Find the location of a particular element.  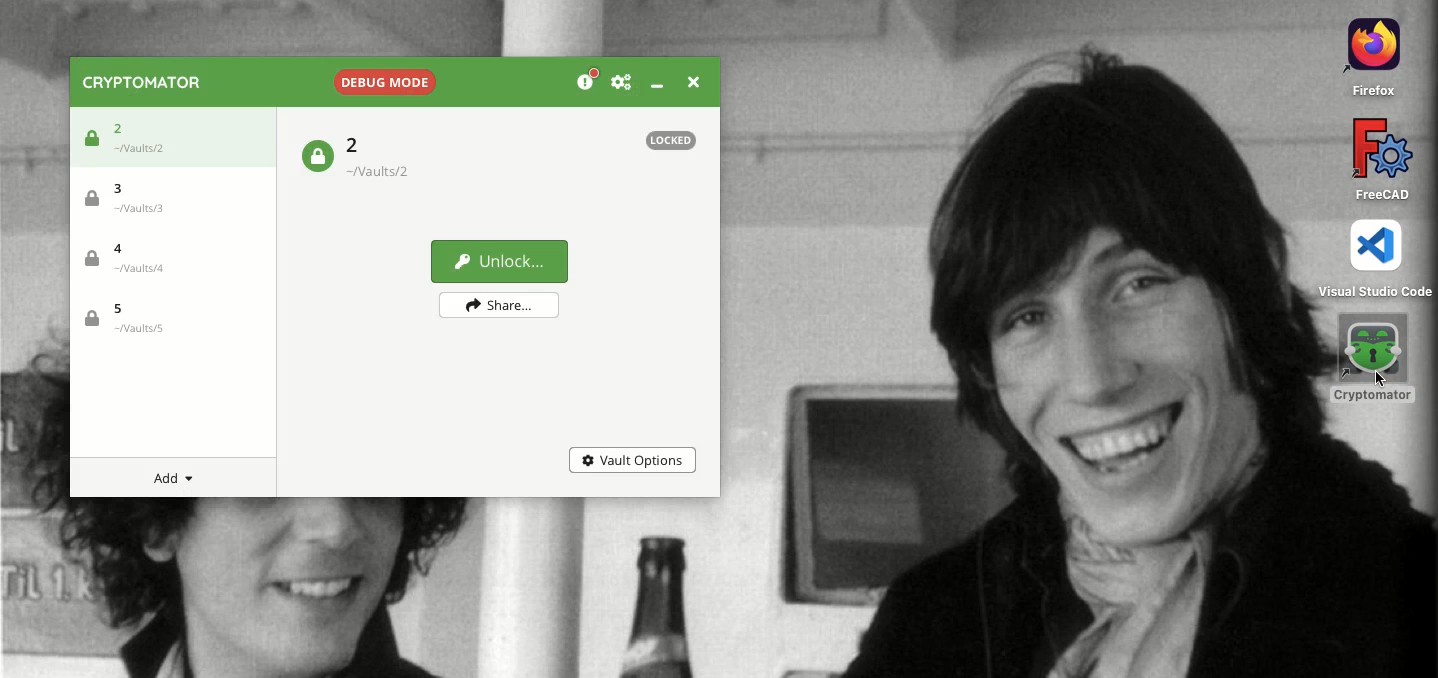

Firefox is located at coordinates (1367, 55).